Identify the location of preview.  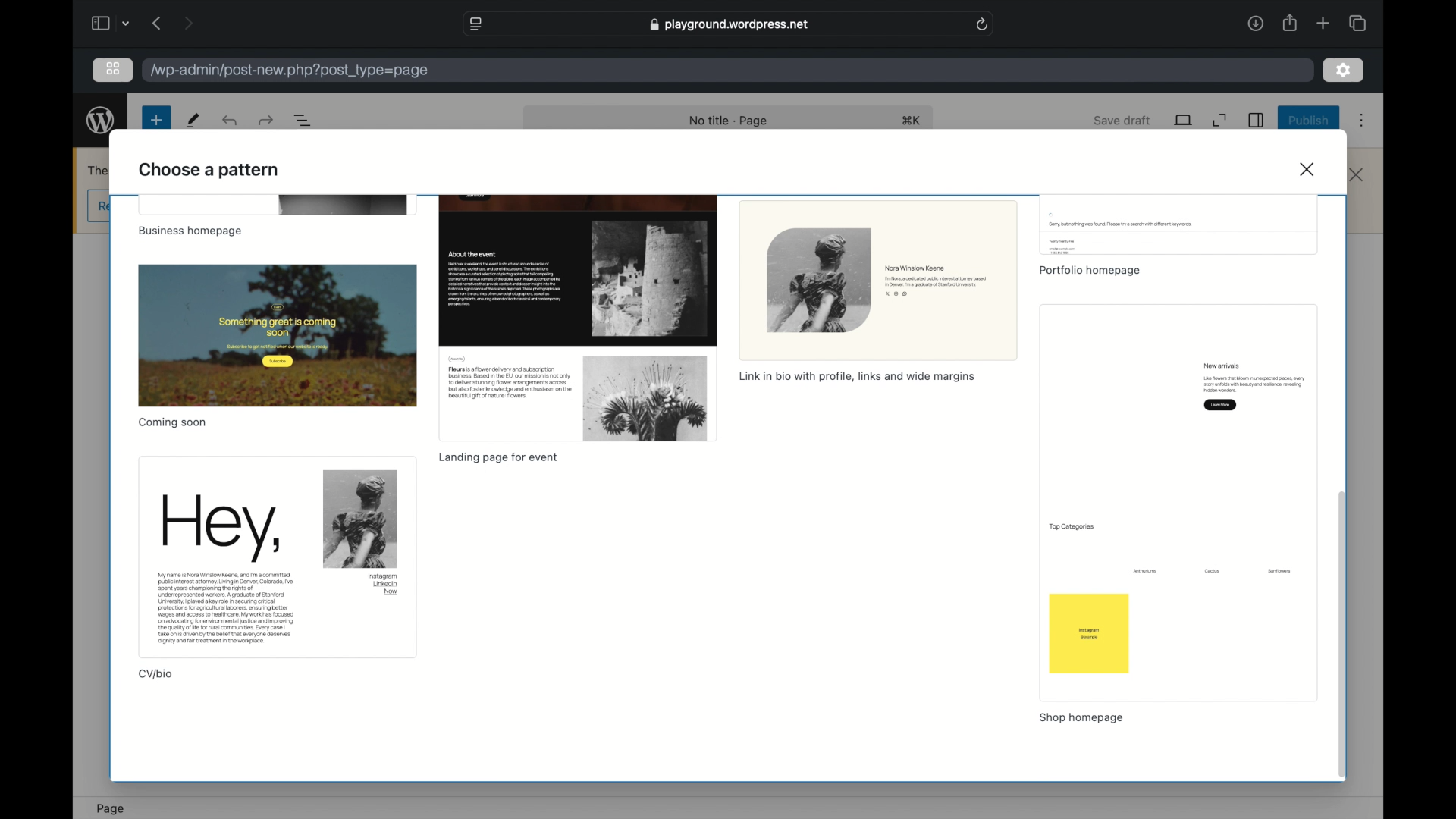
(878, 278).